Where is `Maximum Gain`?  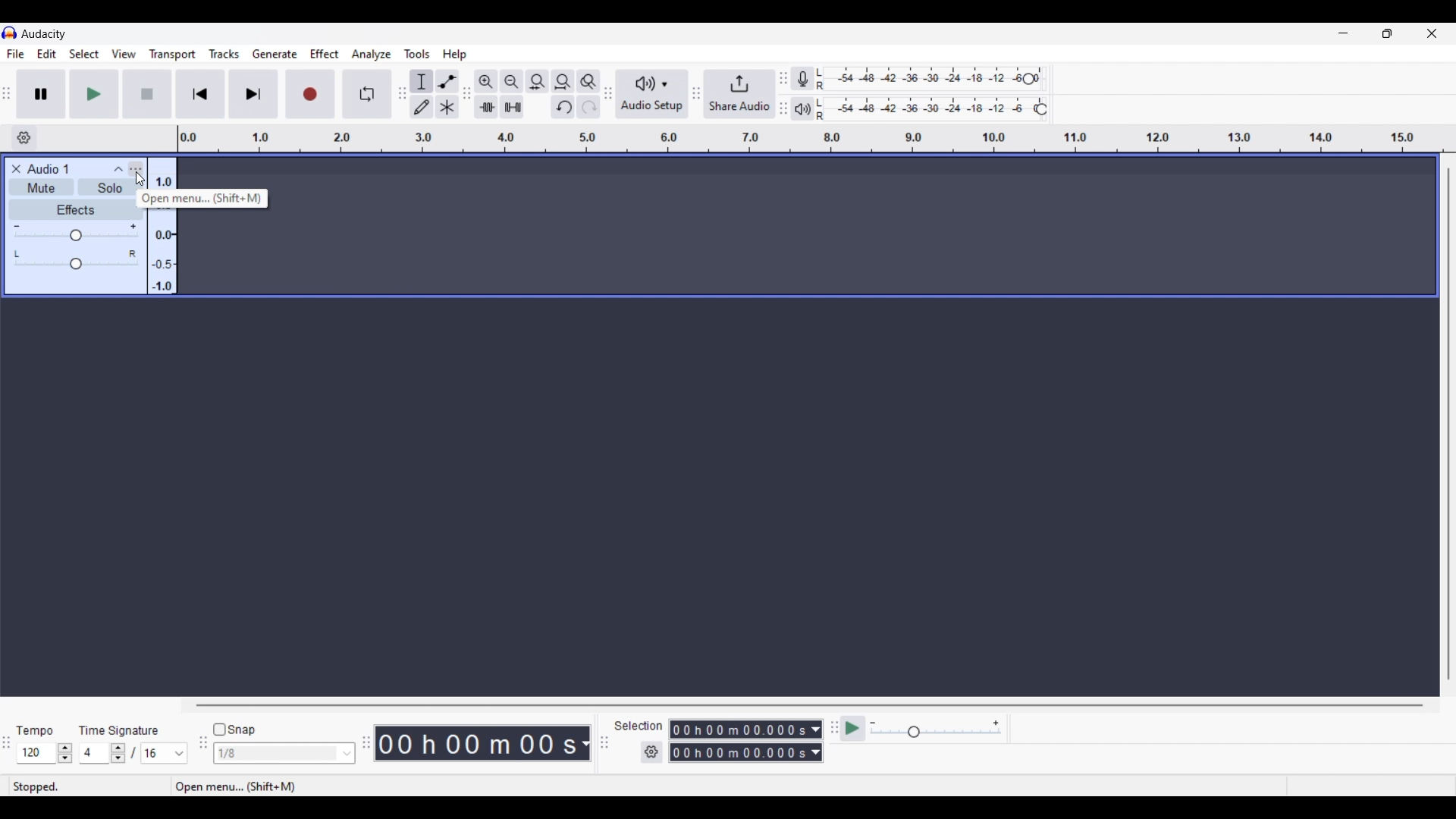 Maximum Gain is located at coordinates (133, 226).